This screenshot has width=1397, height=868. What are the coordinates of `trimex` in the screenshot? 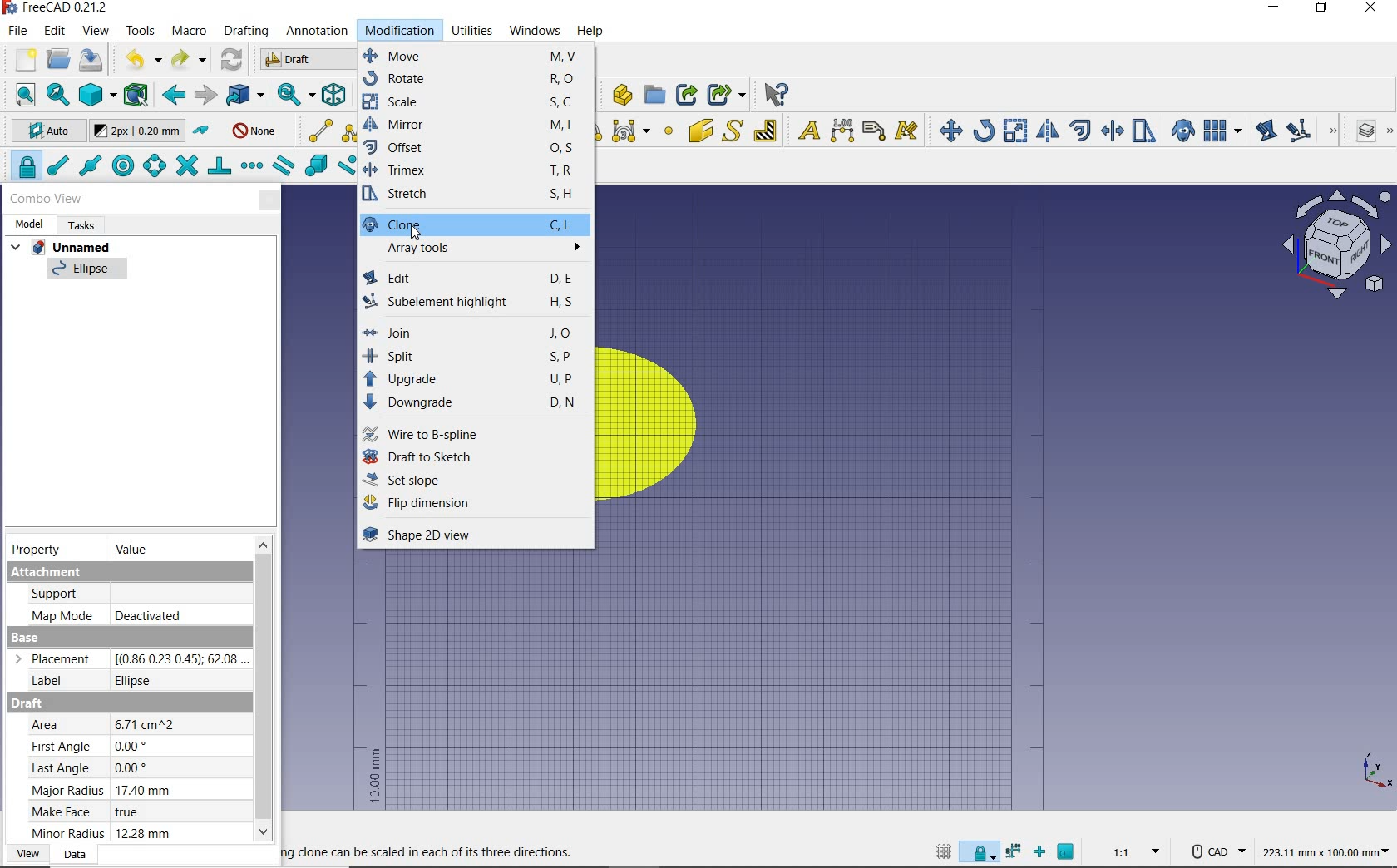 It's located at (475, 172).